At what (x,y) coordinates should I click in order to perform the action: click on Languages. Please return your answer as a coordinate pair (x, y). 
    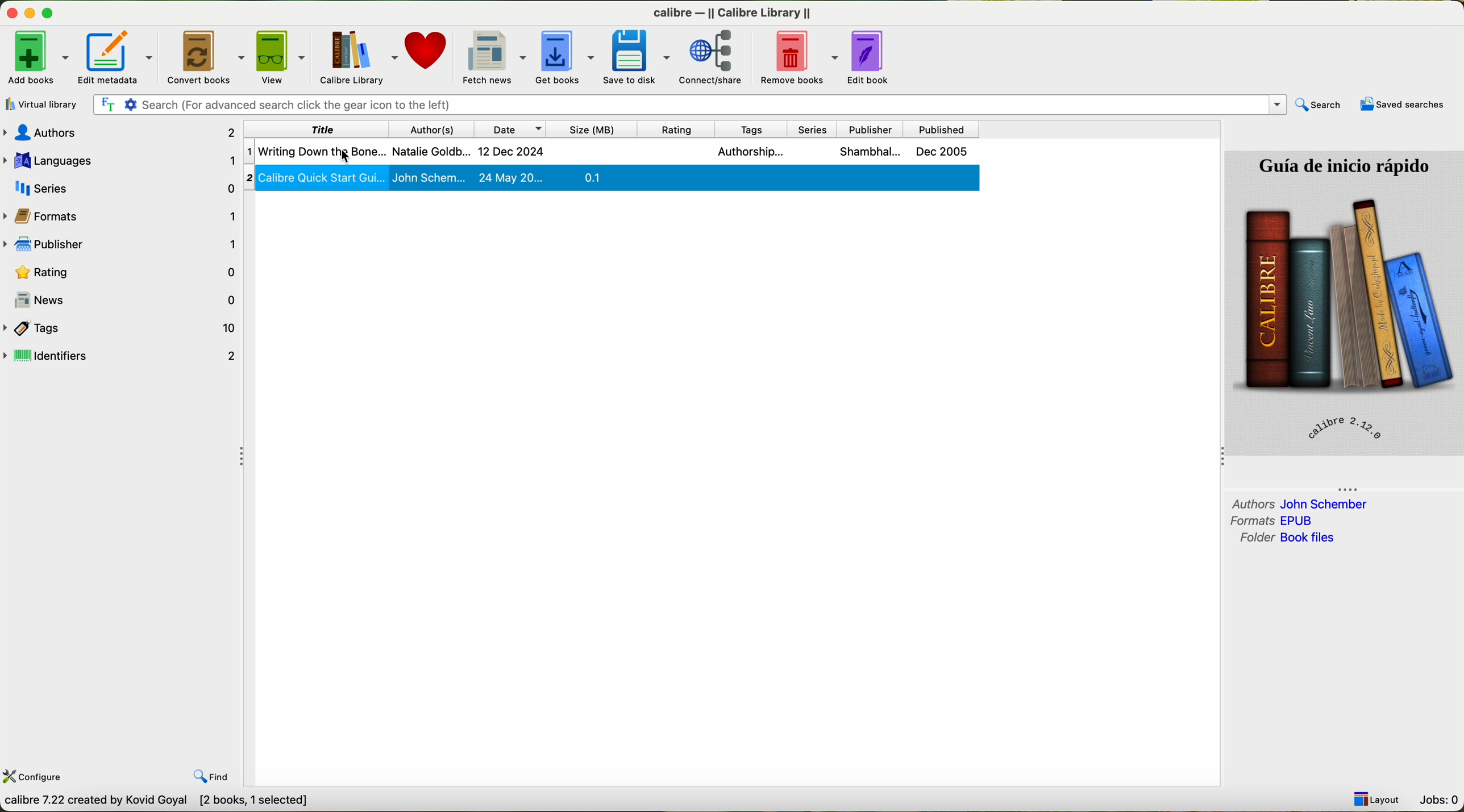
    Looking at the image, I should click on (124, 161).